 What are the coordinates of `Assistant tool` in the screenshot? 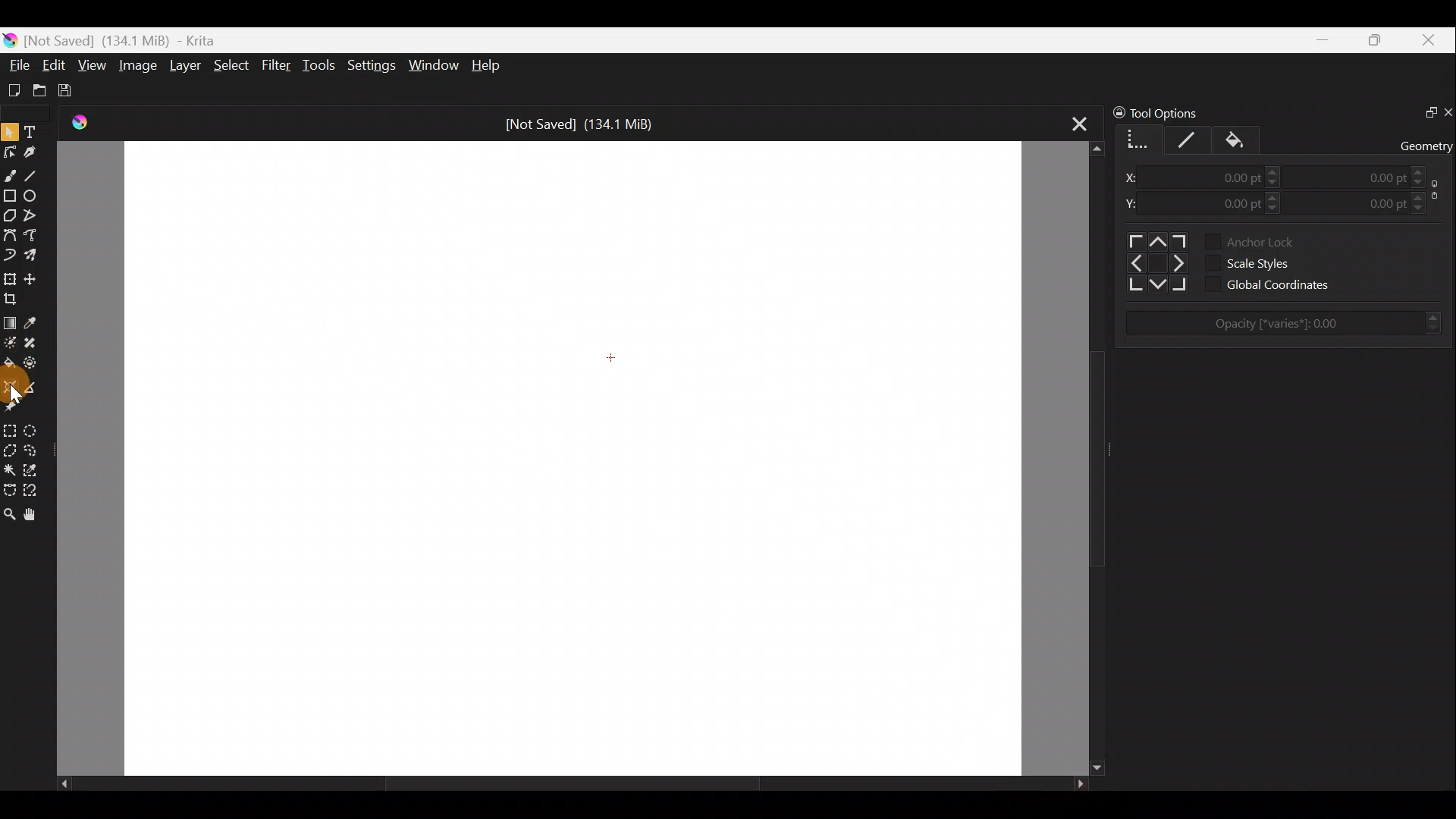 It's located at (10, 385).